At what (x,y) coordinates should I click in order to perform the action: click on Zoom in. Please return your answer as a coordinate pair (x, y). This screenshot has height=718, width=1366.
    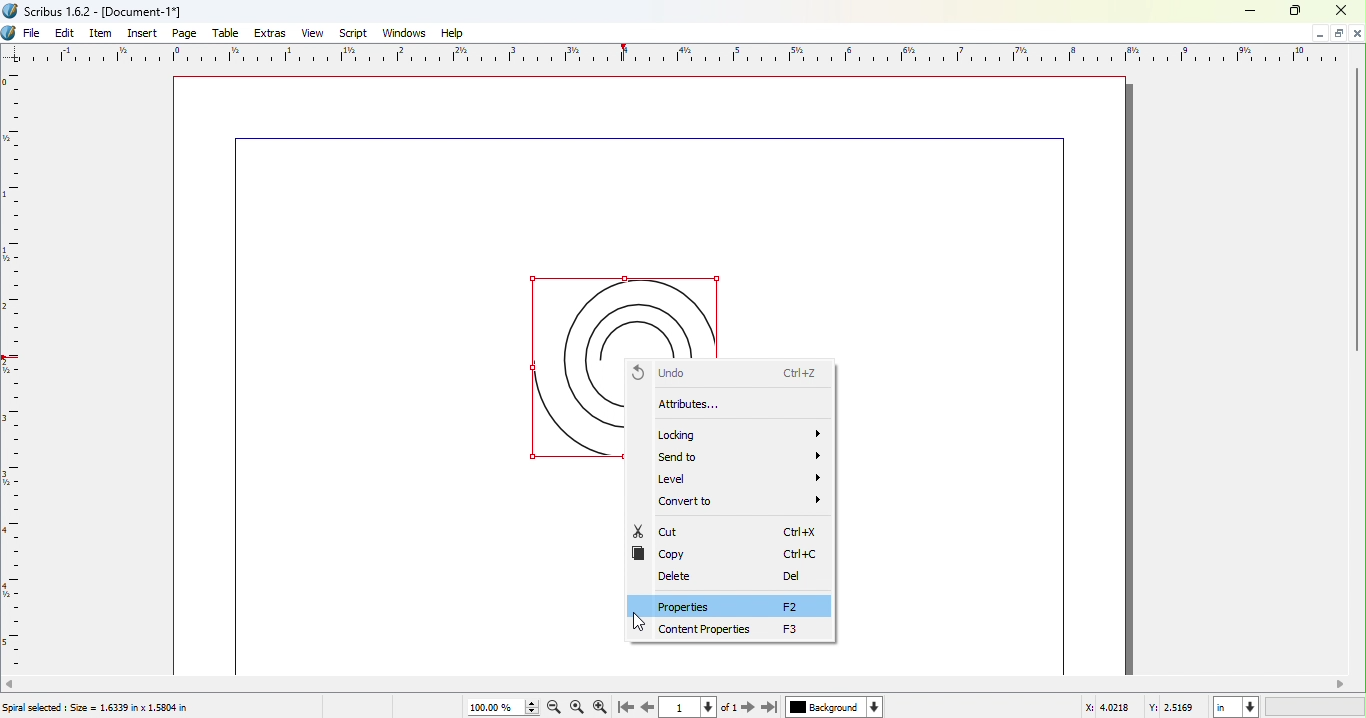
    Looking at the image, I should click on (602, 707).